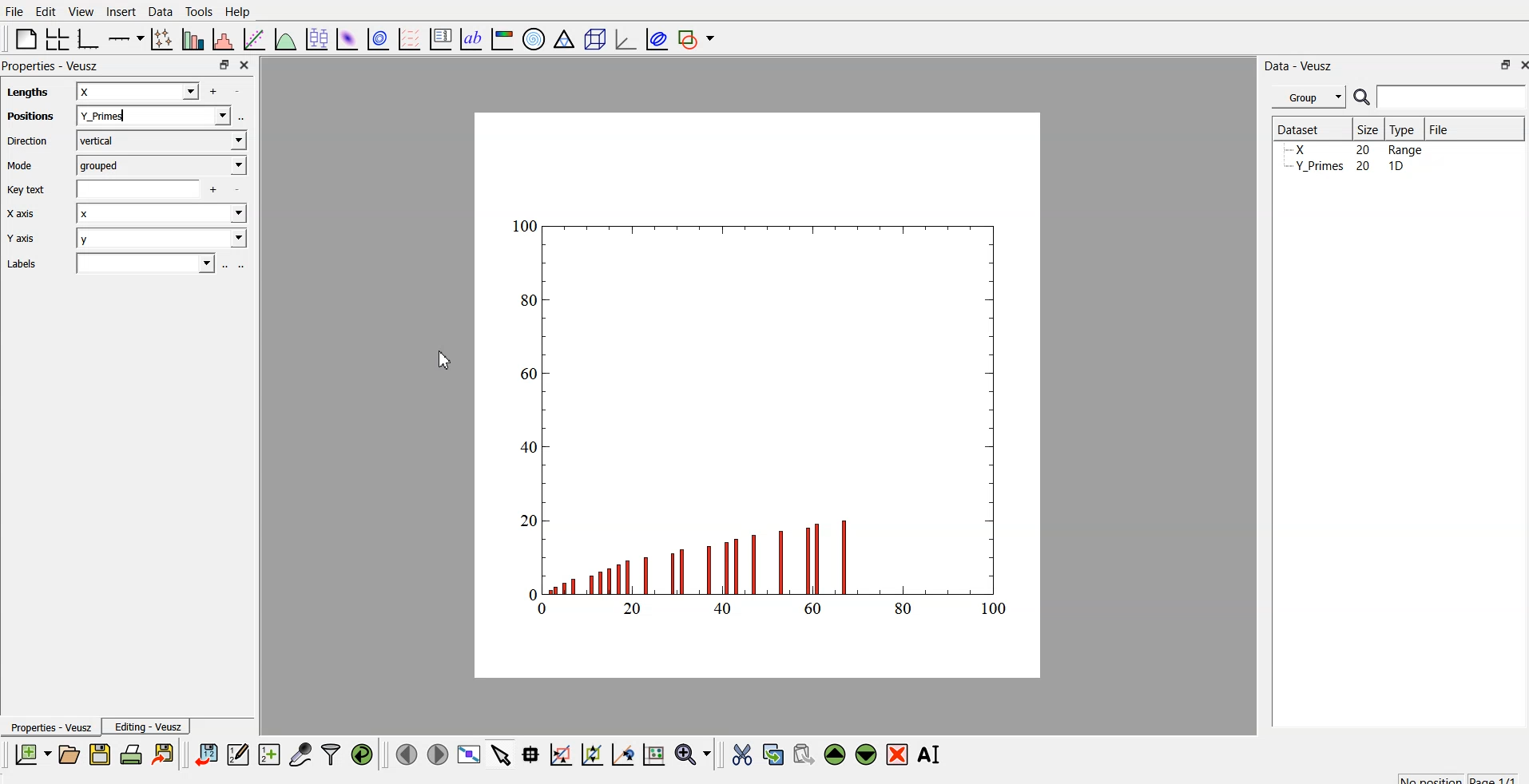 The width and height of the screenshot is (1529, 784). I want to click on Data, so click(160, 10).